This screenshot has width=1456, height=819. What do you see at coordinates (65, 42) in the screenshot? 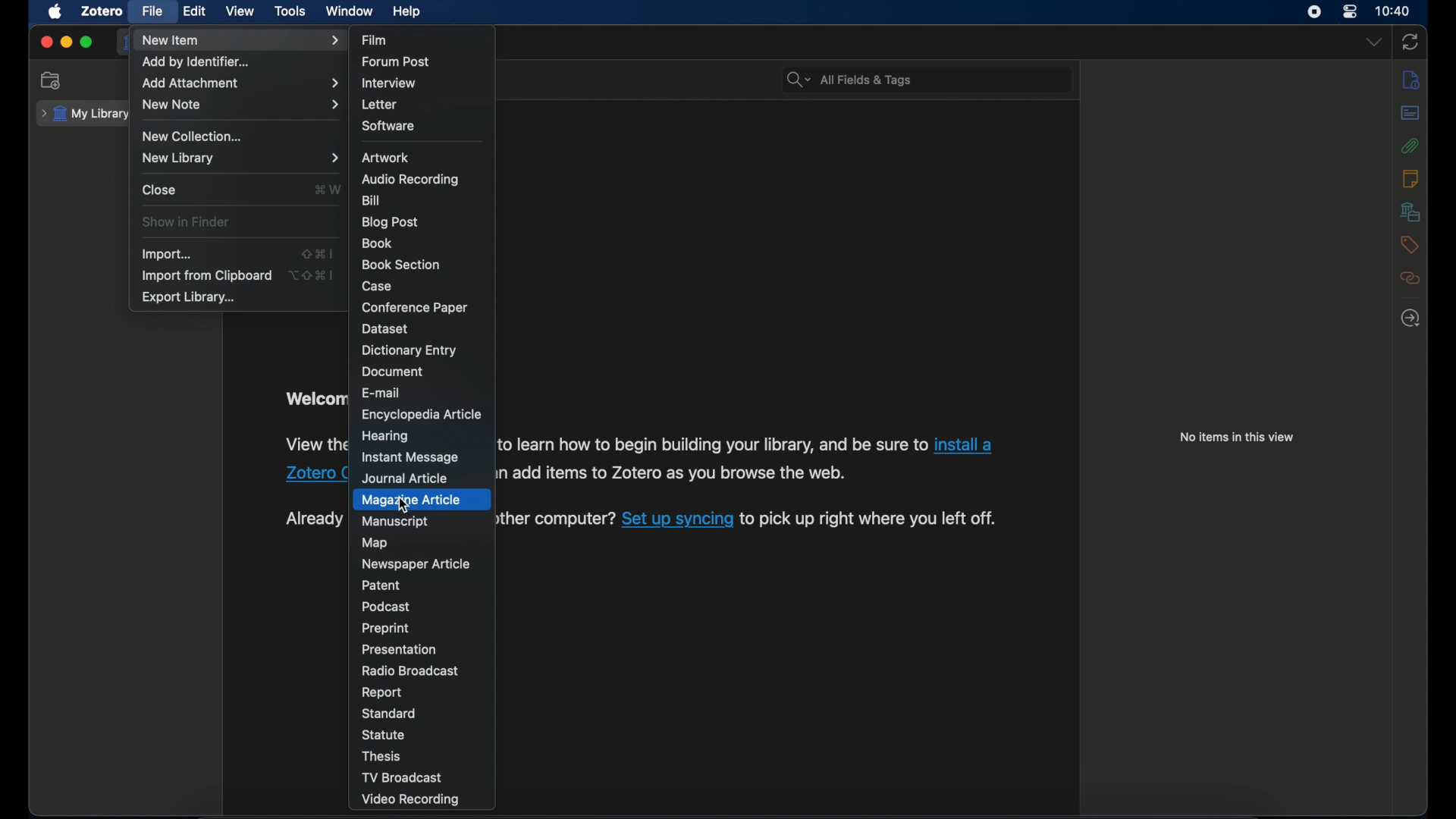
I see `minimize` at bounding box center [65, 42].